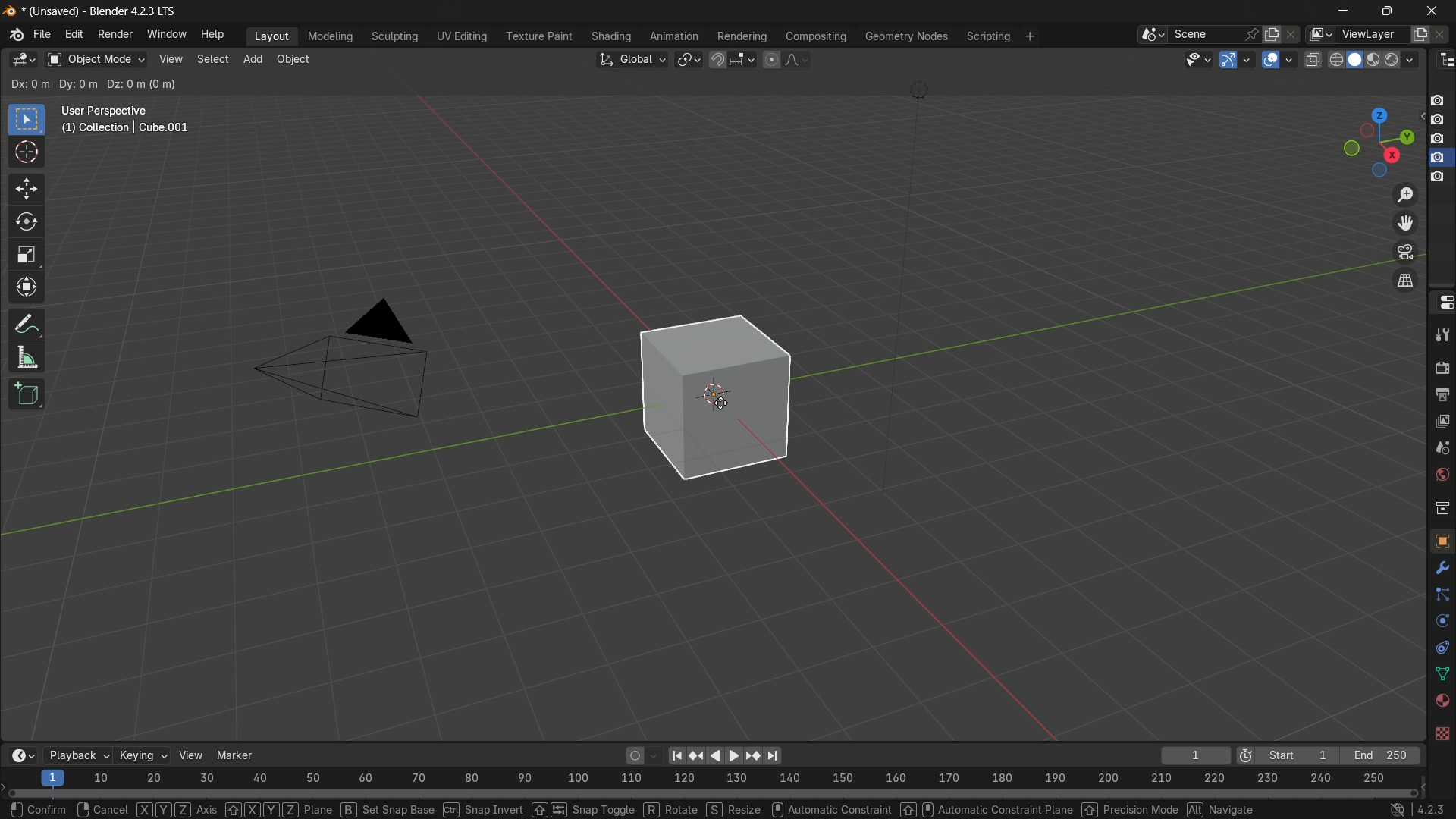 The width and height of the screenshot is (1456, 819). Describe the element at coordinates (1442, 335) in the screenshot. I see `tools` at that location.